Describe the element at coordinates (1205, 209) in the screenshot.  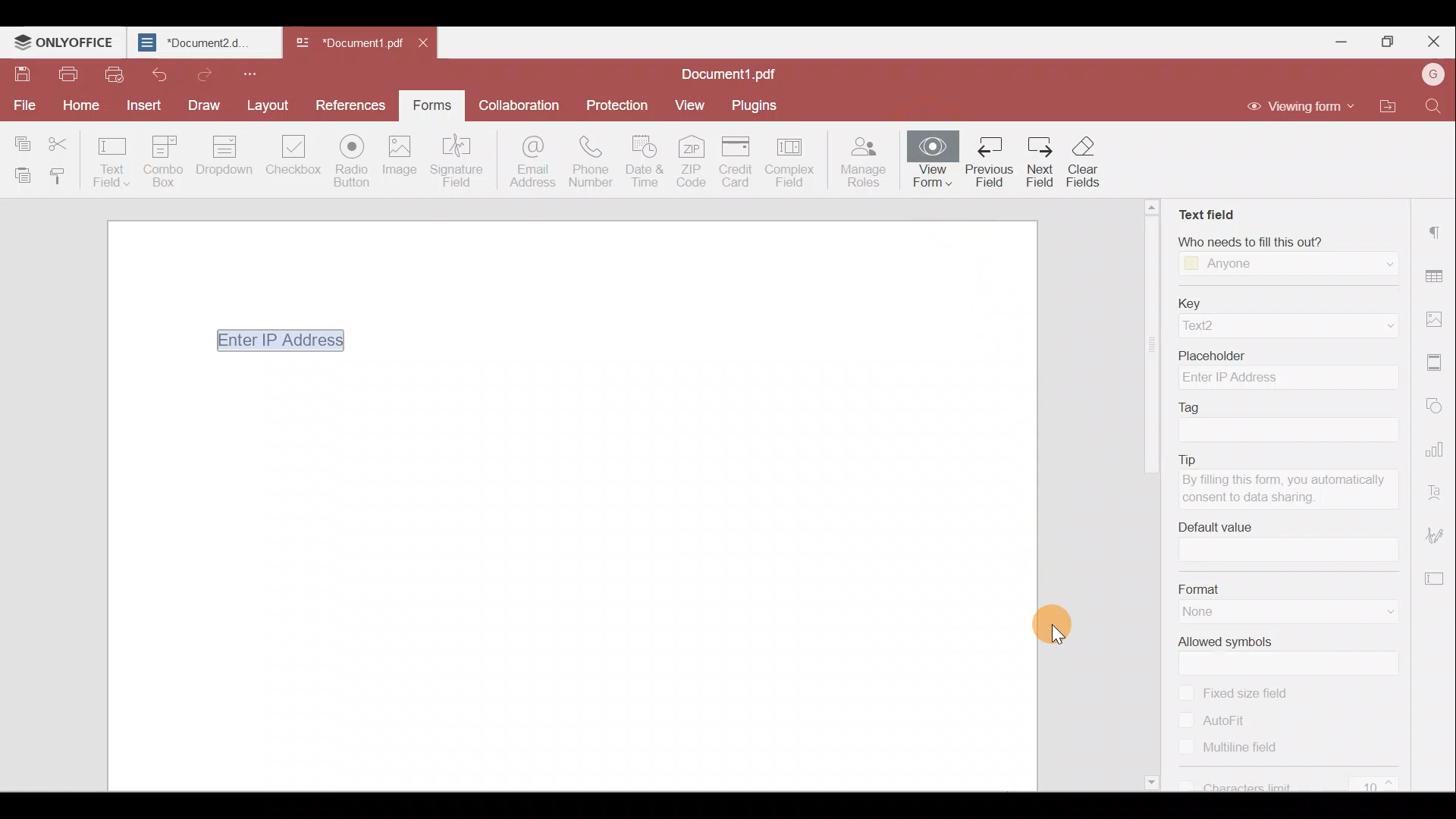
I see `Text field` at that location.